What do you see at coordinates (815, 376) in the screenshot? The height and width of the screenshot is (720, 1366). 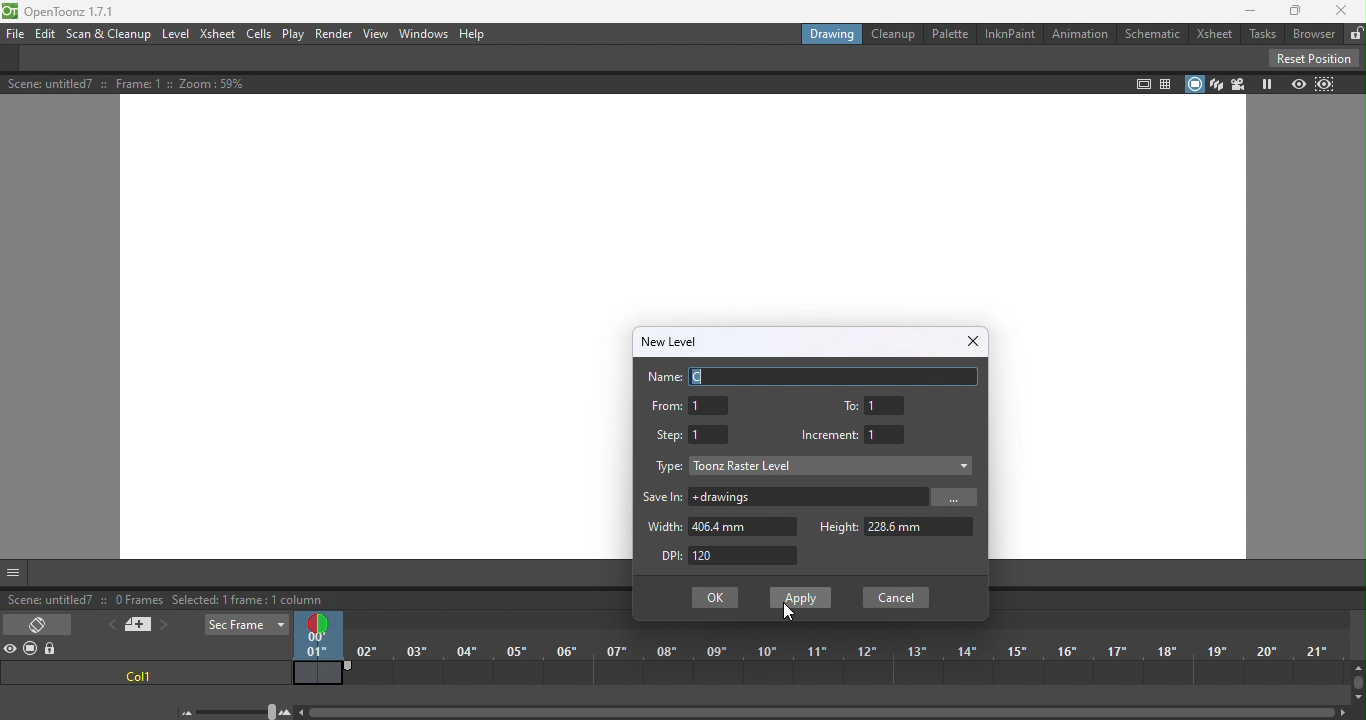 I see `Name` at bounding box center [815, 376].